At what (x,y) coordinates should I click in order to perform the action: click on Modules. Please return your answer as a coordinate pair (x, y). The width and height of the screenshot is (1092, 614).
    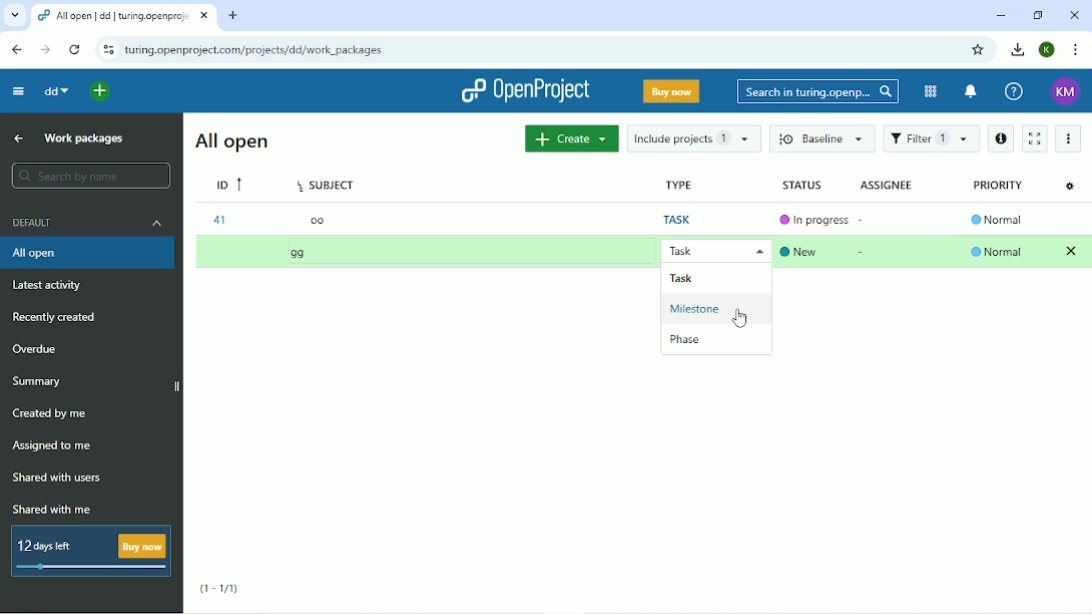
    Looking at the image, I should click on (929, 90).